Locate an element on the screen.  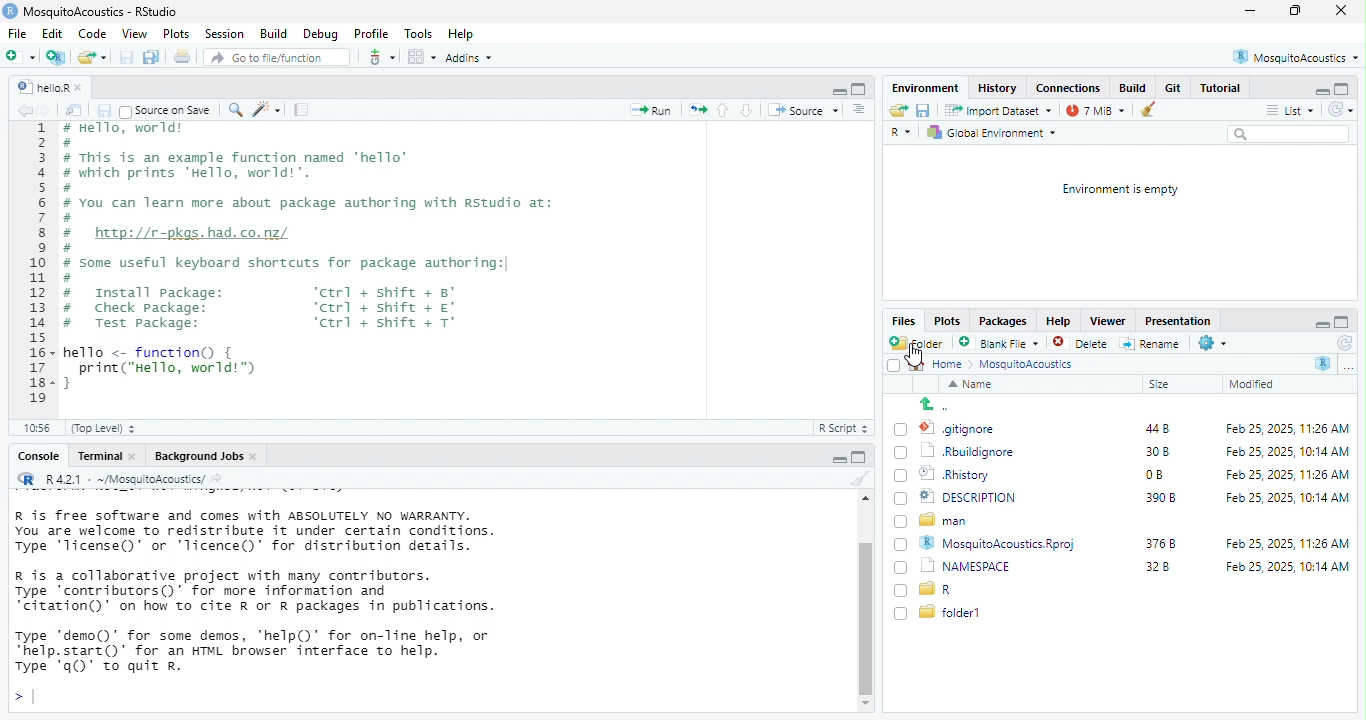
Help is located at coordinates (1057, 322).